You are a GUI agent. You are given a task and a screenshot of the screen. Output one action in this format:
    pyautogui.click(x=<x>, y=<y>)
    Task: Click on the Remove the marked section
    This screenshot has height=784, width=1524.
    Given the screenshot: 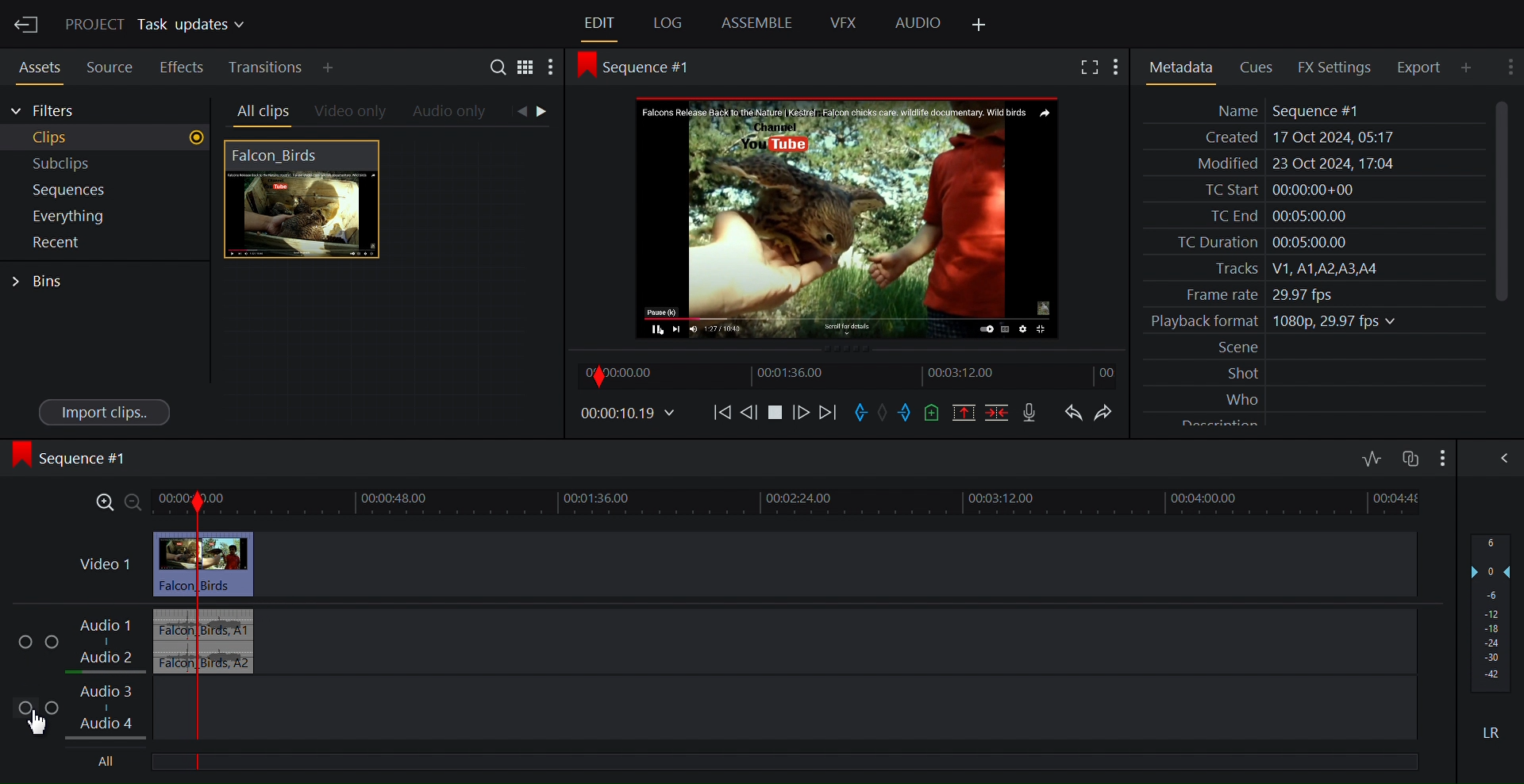 What is the action you would take?
    pyautogui.click(x=963, y=413)
    